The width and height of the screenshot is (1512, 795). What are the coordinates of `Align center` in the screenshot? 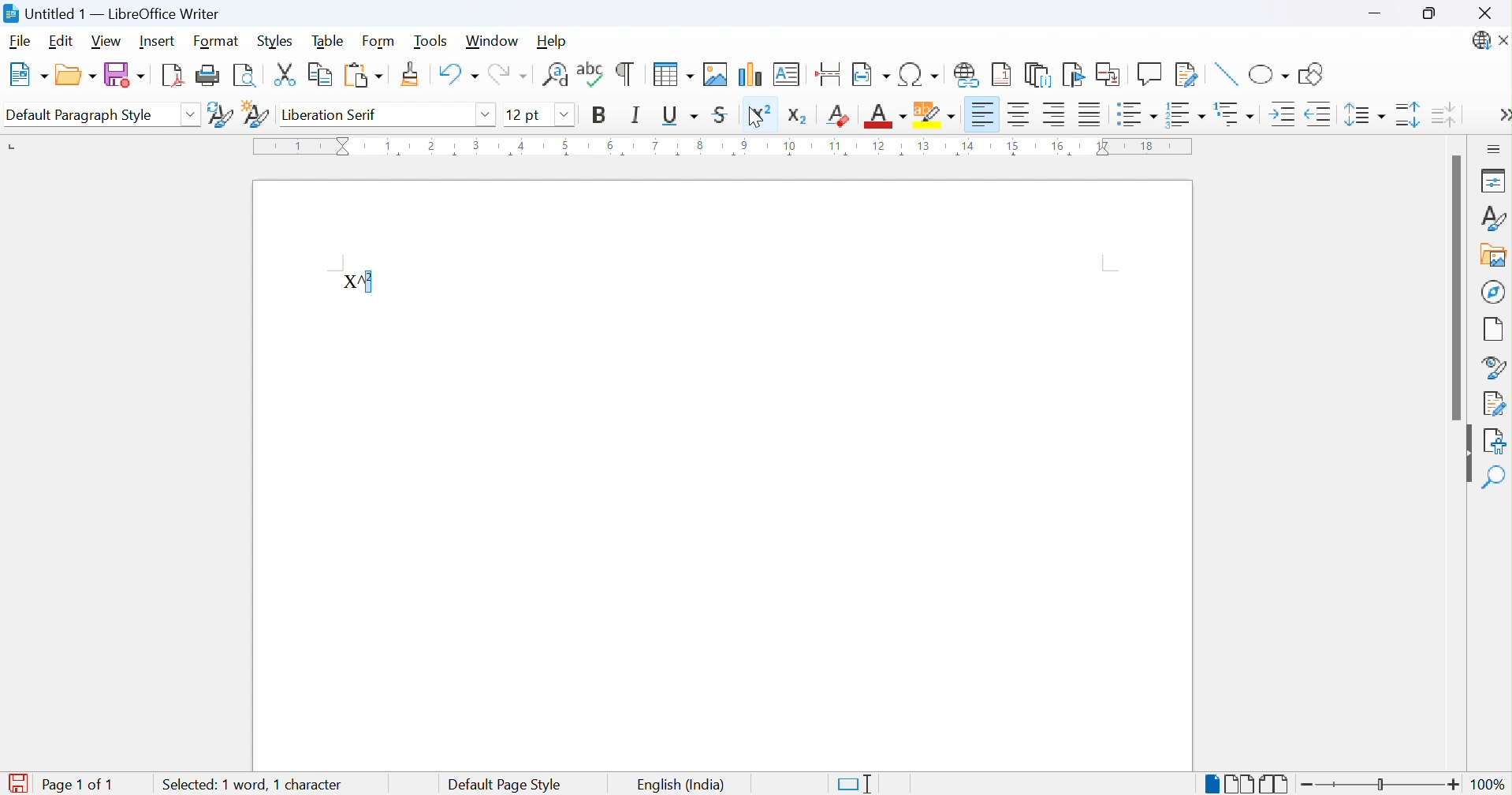 It's located at (1020, 117).